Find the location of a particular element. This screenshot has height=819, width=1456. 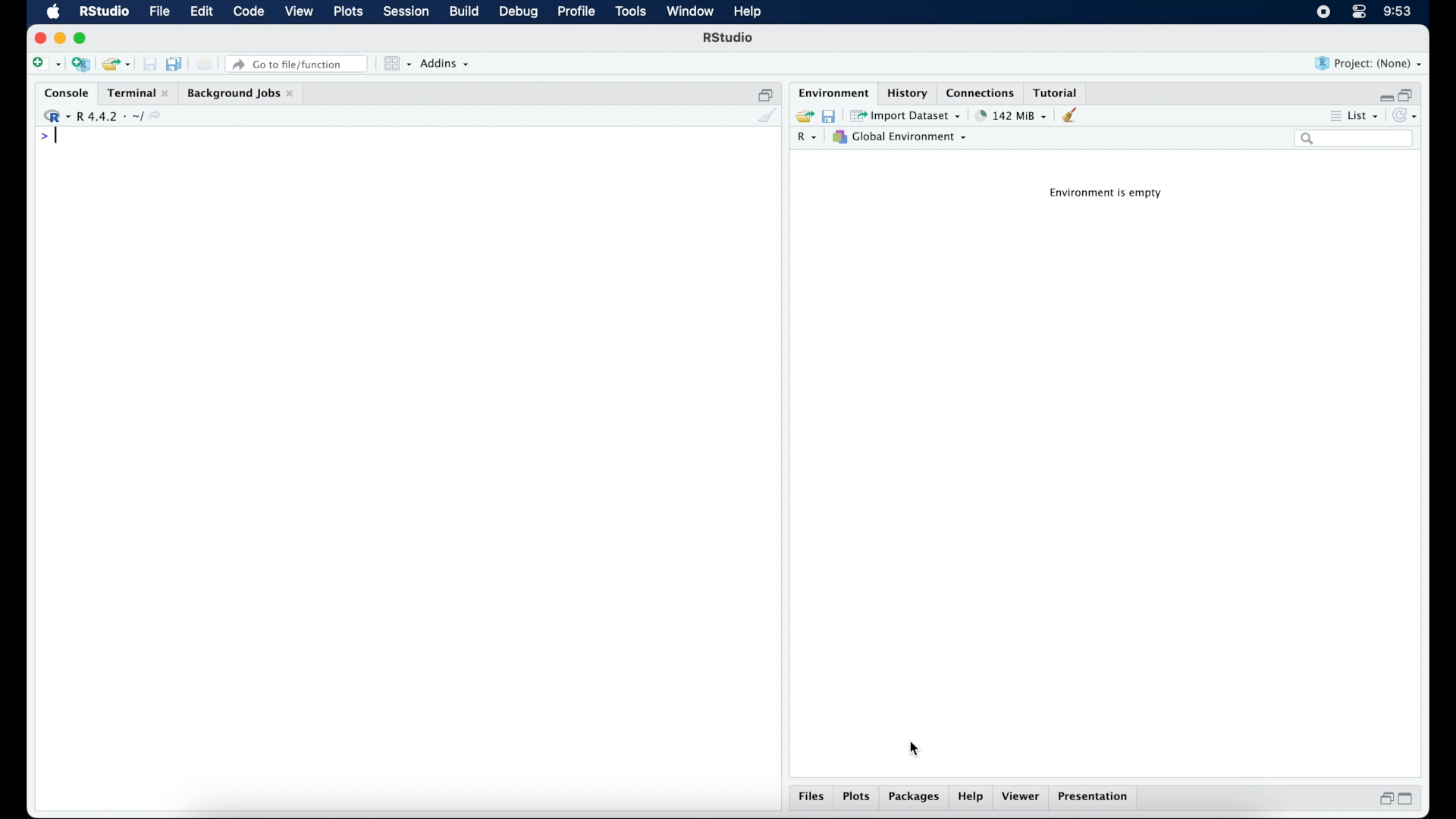

console is located at coordinates (63, 92).